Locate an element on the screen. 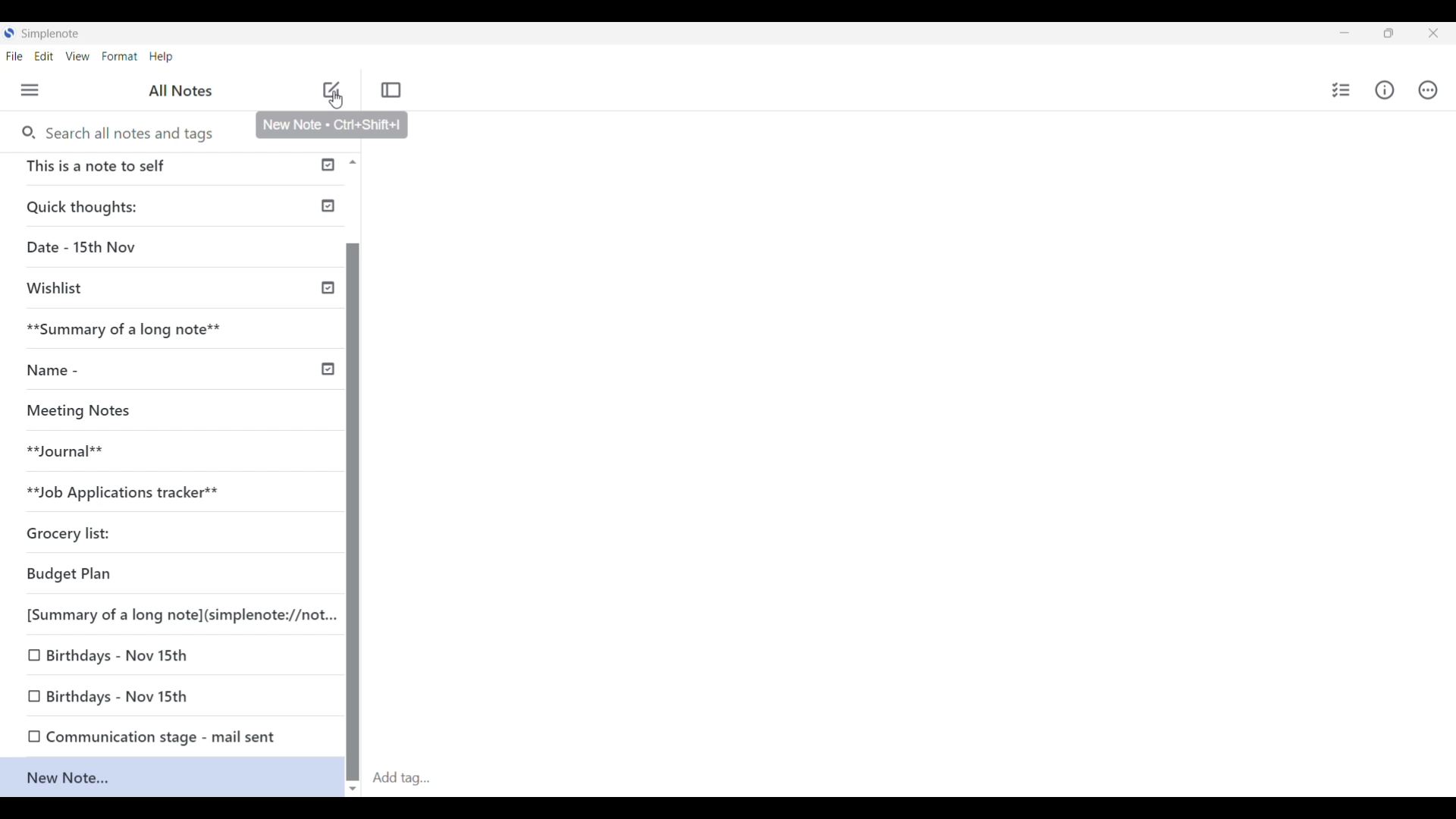 Image resolution: width=1456 pixels, height=819 pixels. Quick slide to top is located at coordinates (353, 162).